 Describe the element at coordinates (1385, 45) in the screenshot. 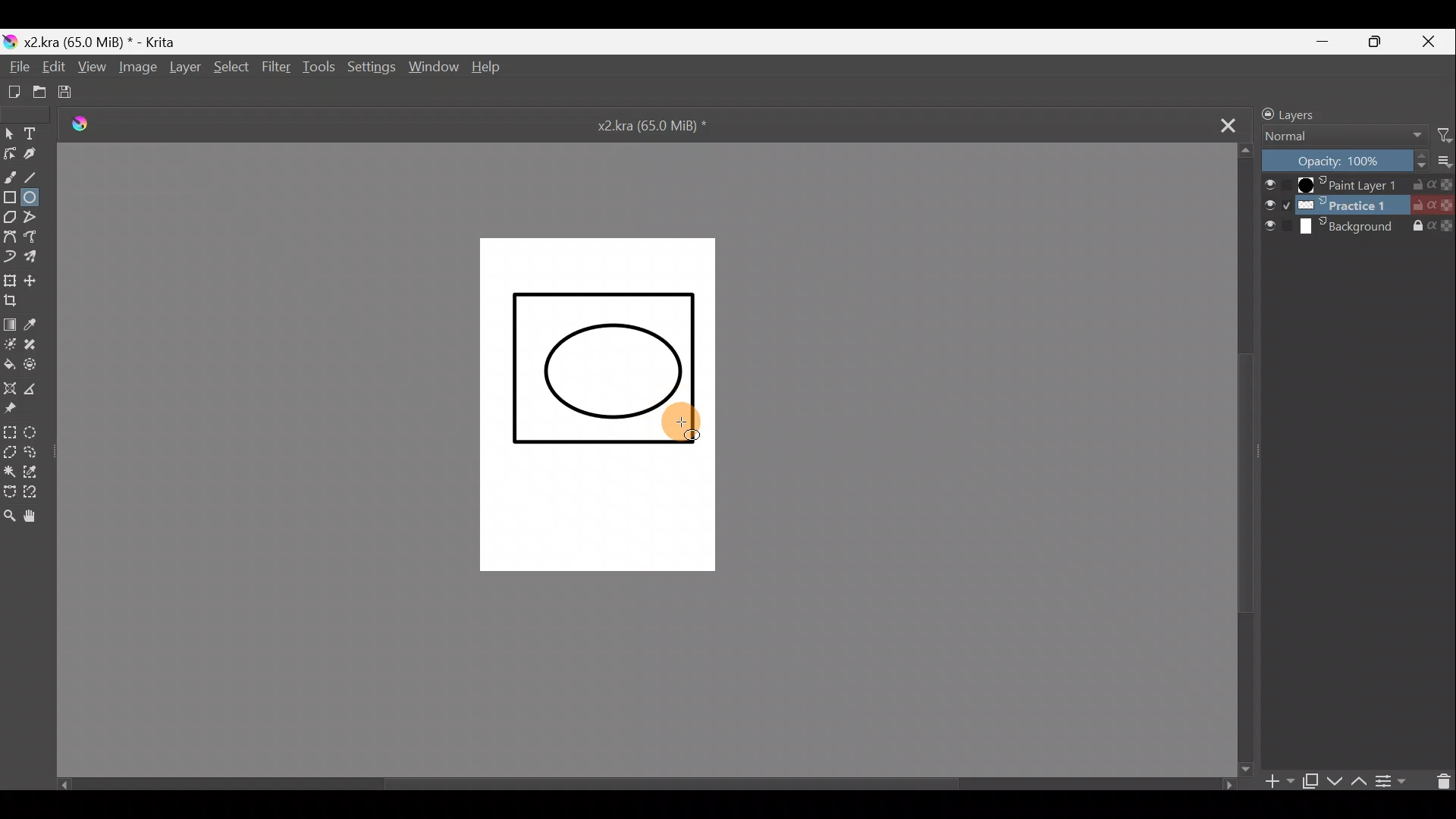

I see `Maximize` at that location.